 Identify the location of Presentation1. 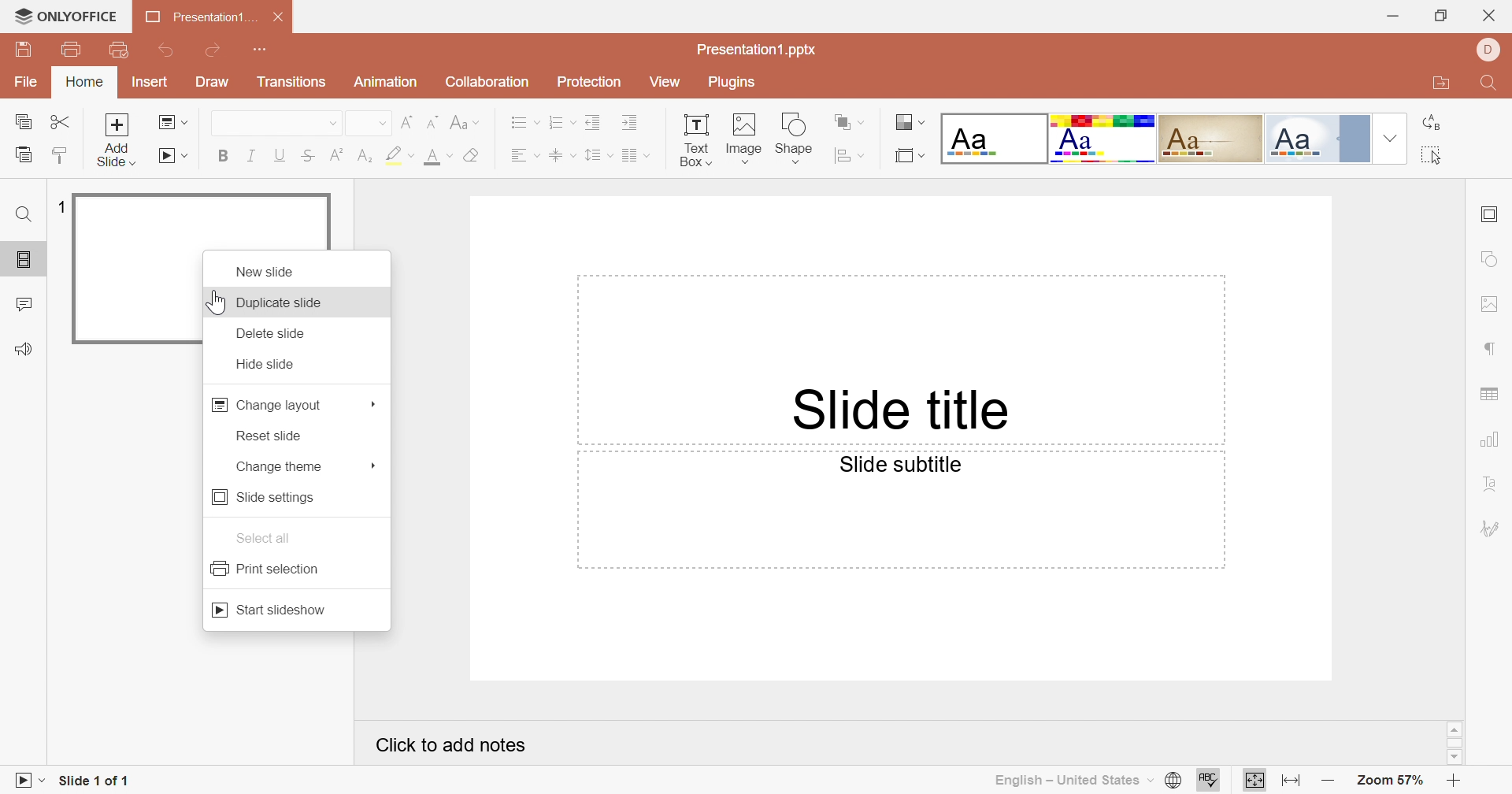
(195, 15).